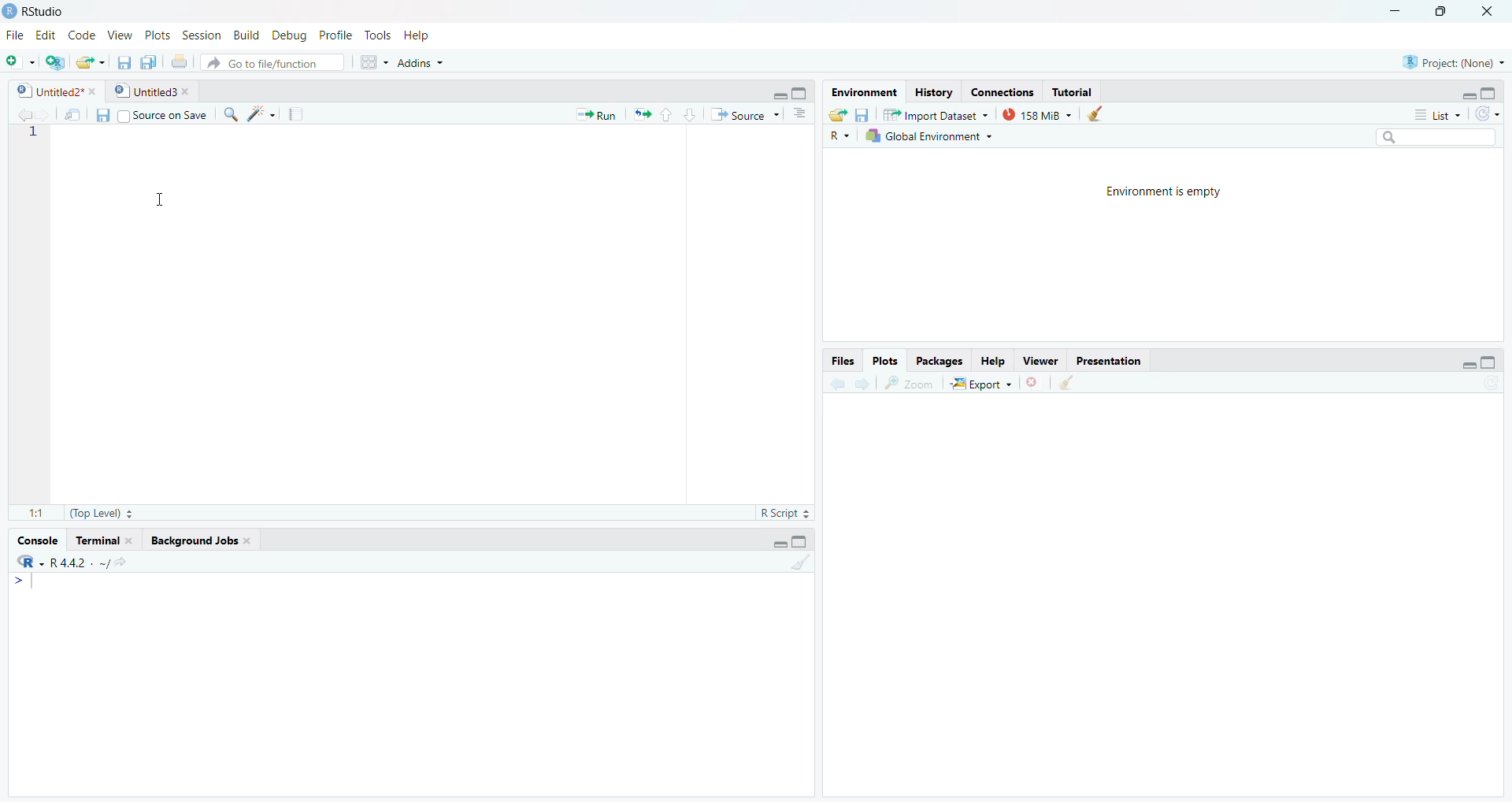 The height and width of the screenshot is (802, 1512). I want to click on Close, so click(1489, 16).